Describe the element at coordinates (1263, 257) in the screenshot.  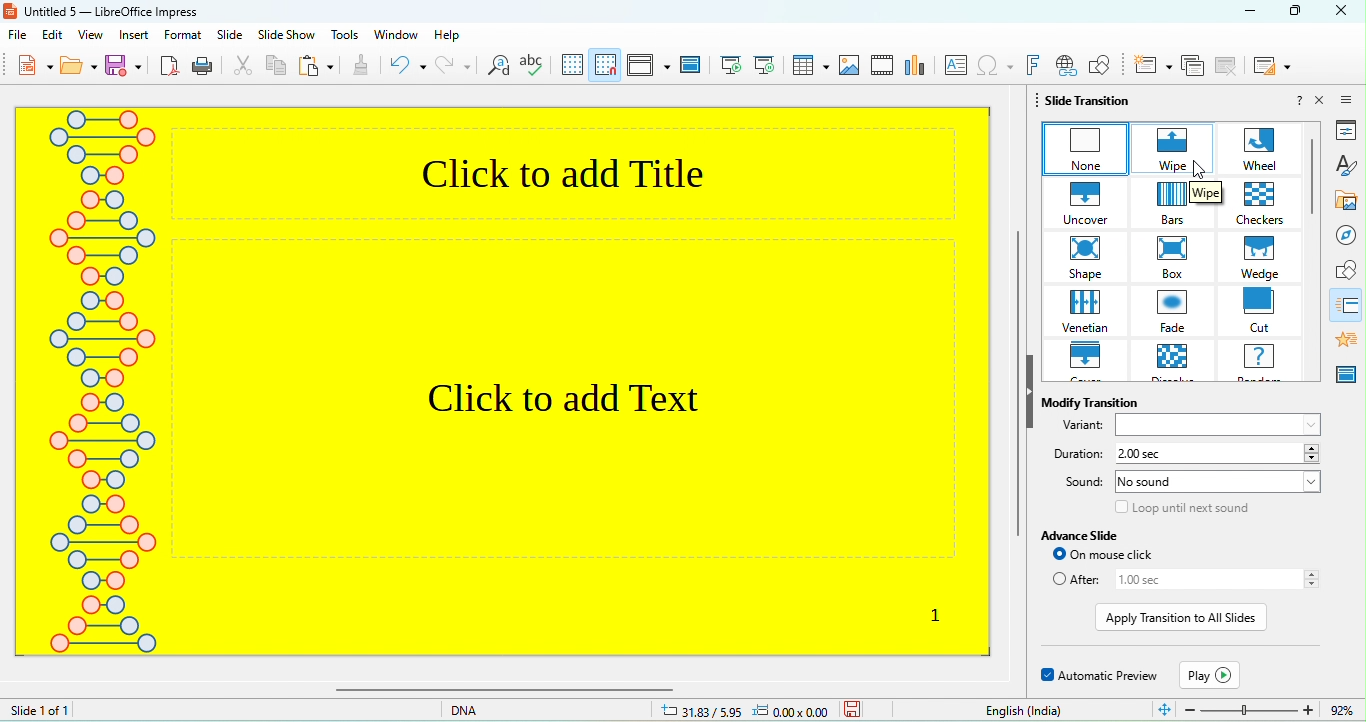
I see `wedge` at that location.